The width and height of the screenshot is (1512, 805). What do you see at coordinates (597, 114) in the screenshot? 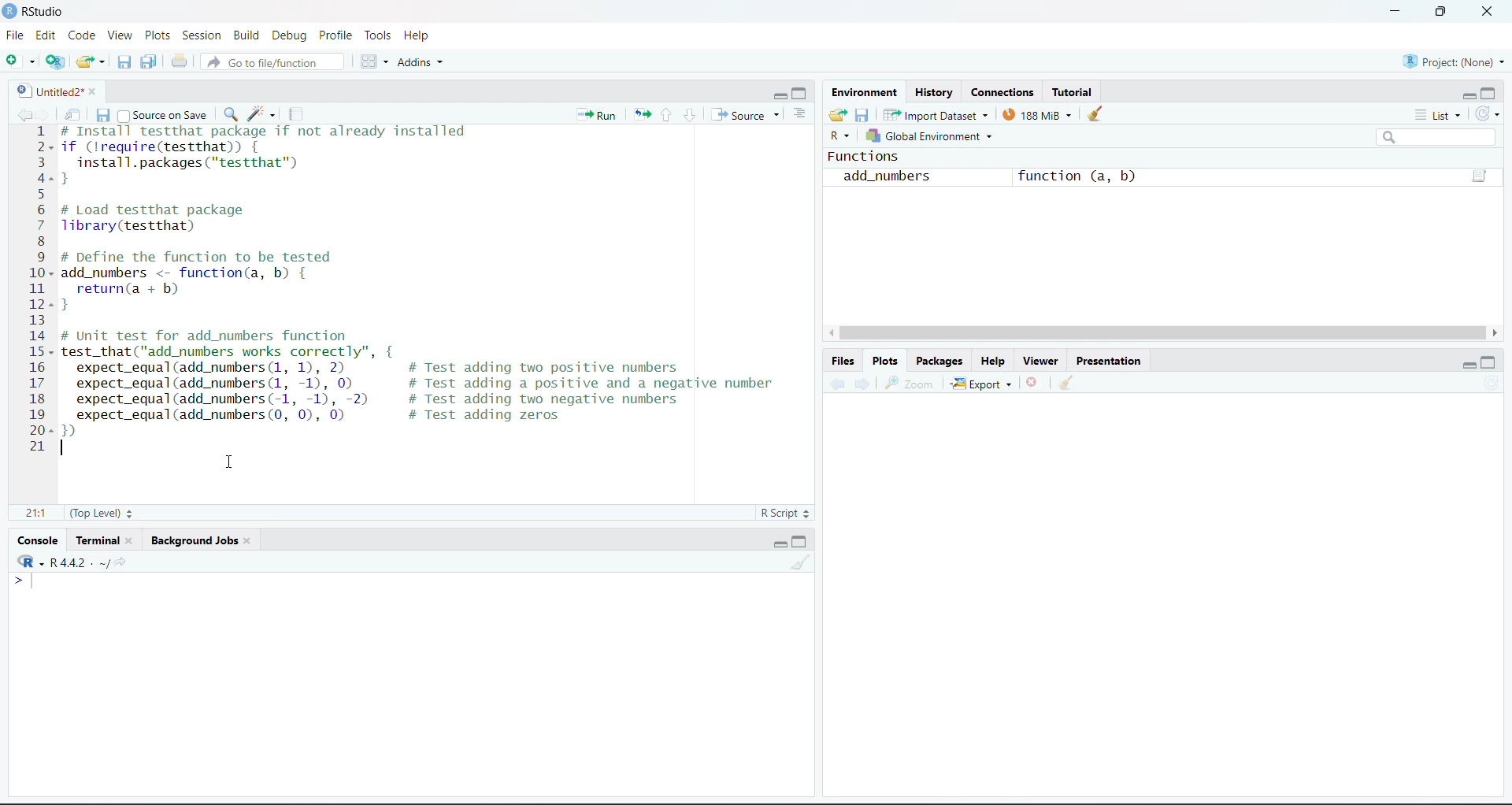
I see `run` at bounding box center [597, 114].